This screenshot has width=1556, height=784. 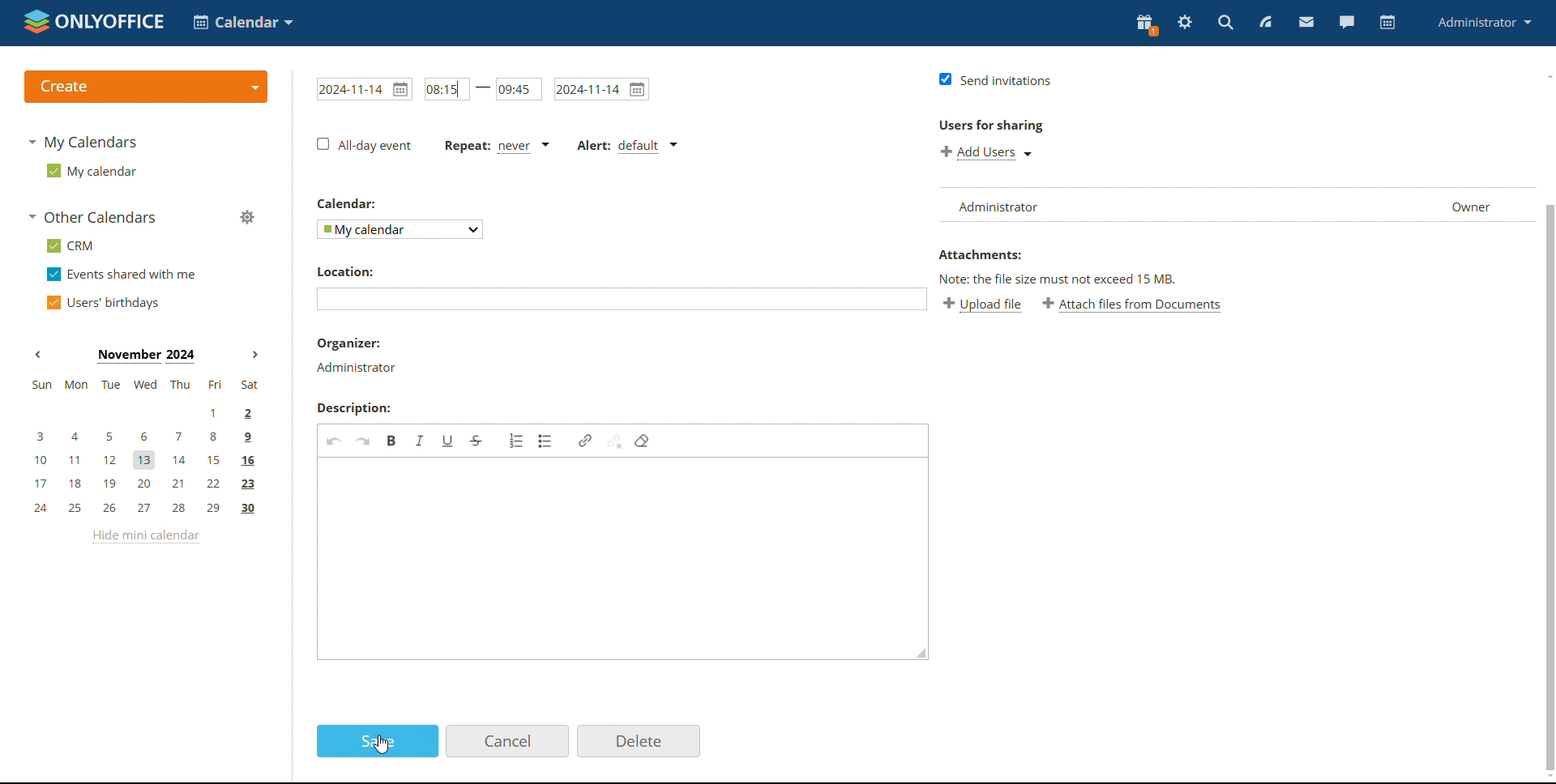 What do you see at coordinates (144, 537) in the screenshot?
I see `hide mini calendar` at bounding box center [144, 537].